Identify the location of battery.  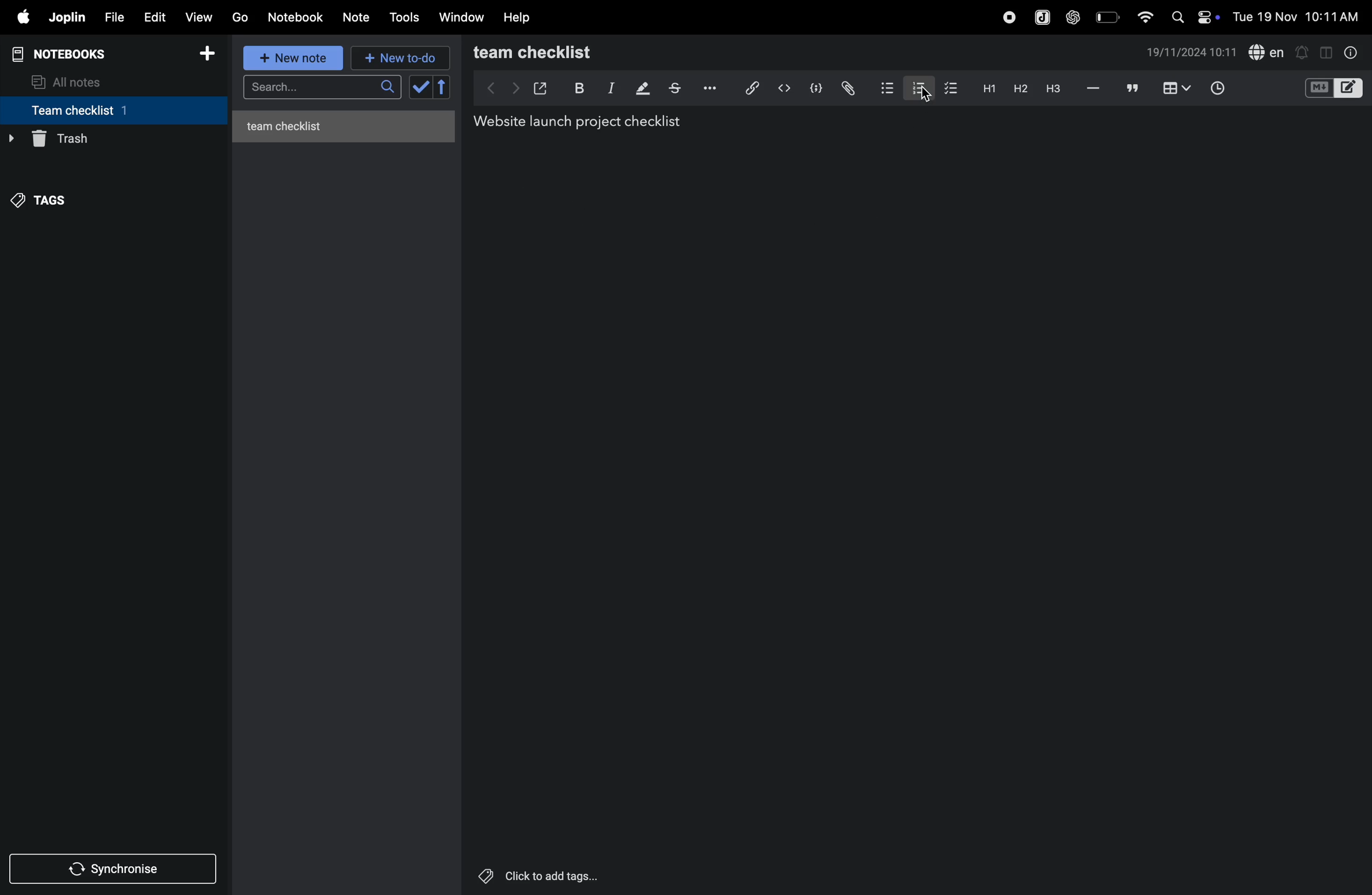
(1106, 17).